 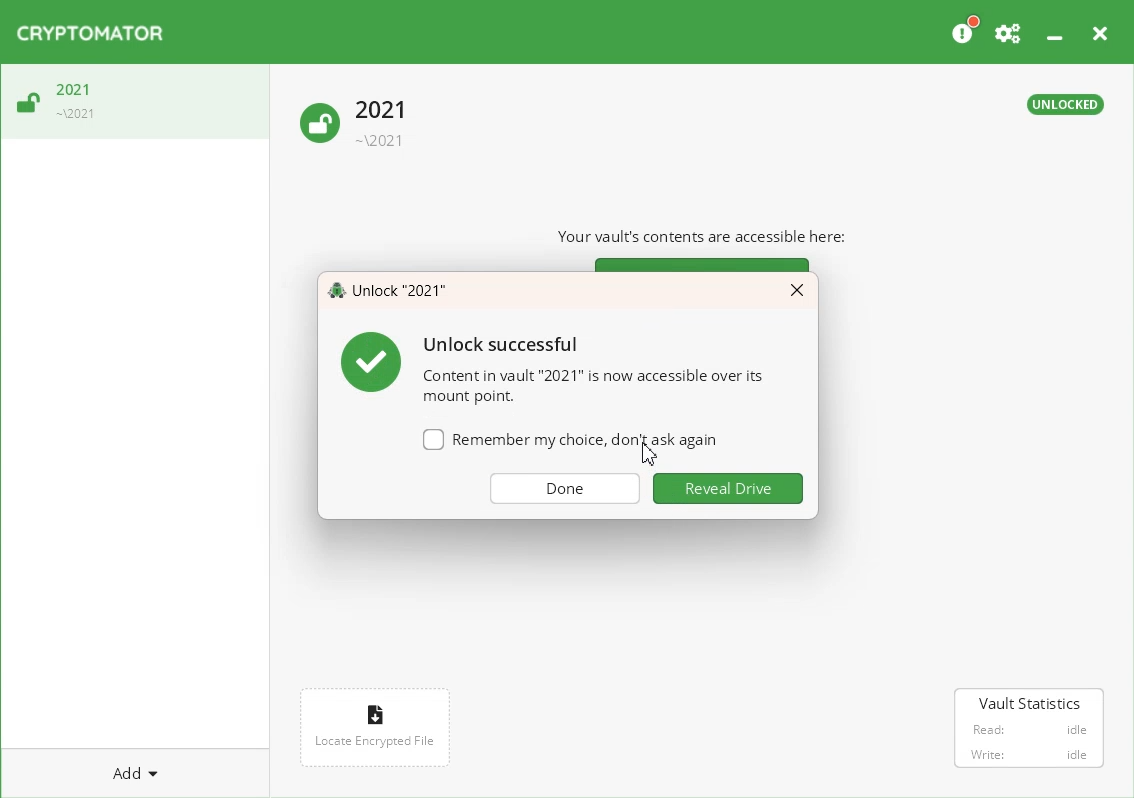 What do you see at coordinates (964, 30) in the screenshot?
I see `Please Consider donating` at bounding box center [964, 30].